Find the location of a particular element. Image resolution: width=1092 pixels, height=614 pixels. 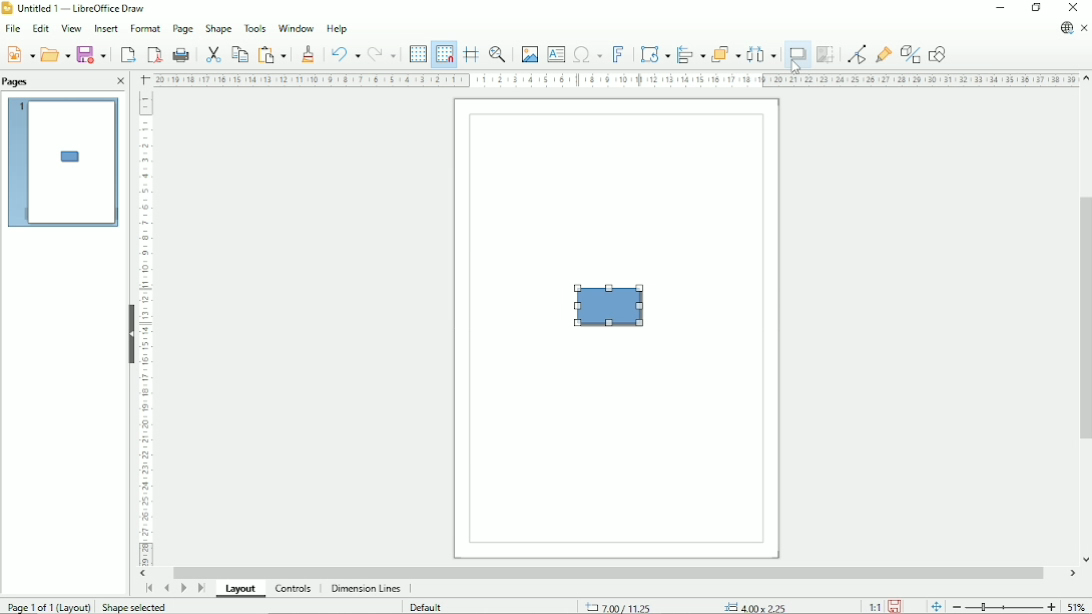

Toggle point edit mode is located at coordinates (855, 53).